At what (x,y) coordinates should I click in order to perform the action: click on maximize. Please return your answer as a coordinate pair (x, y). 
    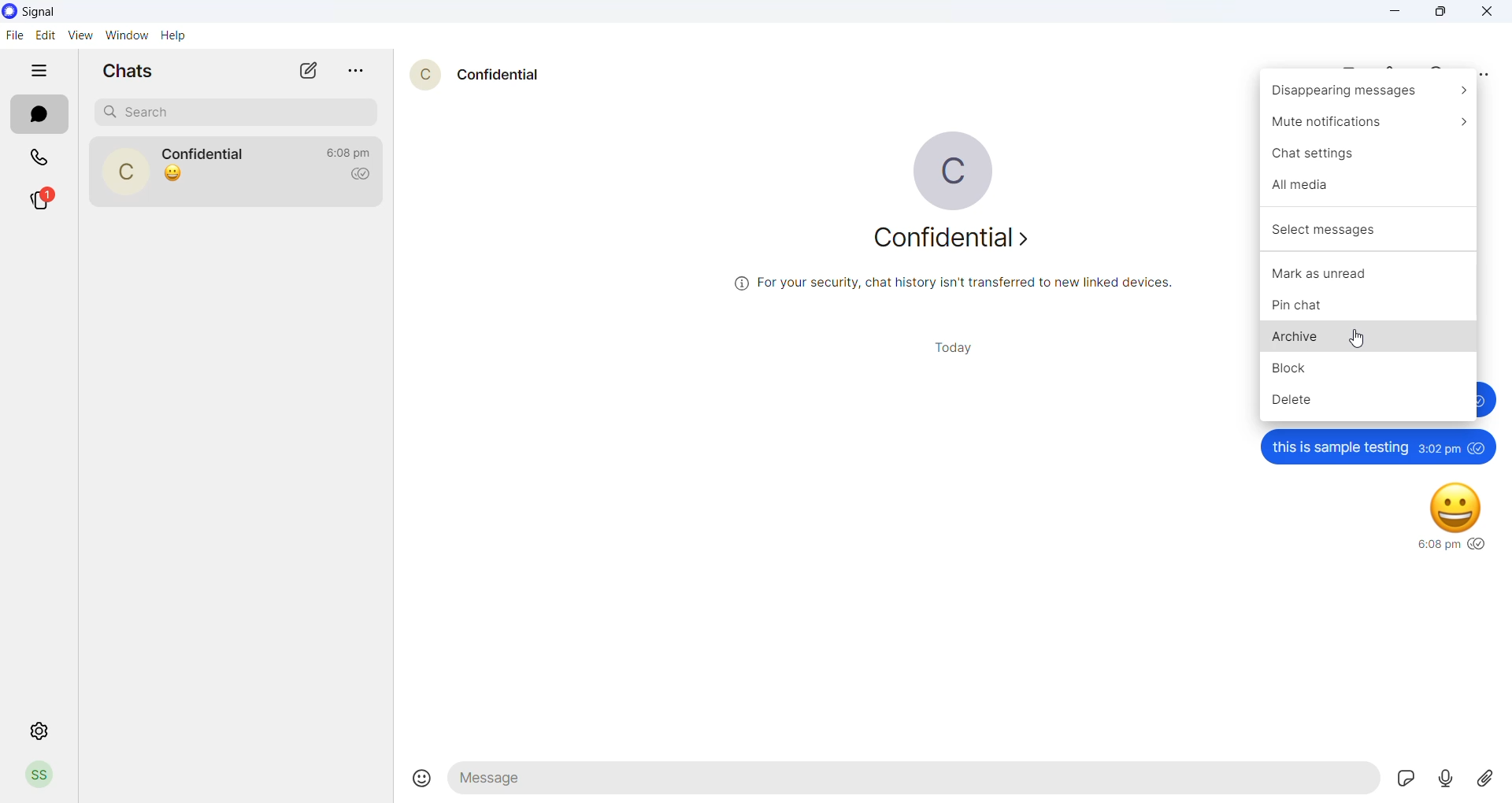
    Looking at the image, I should click on (1436, 12).